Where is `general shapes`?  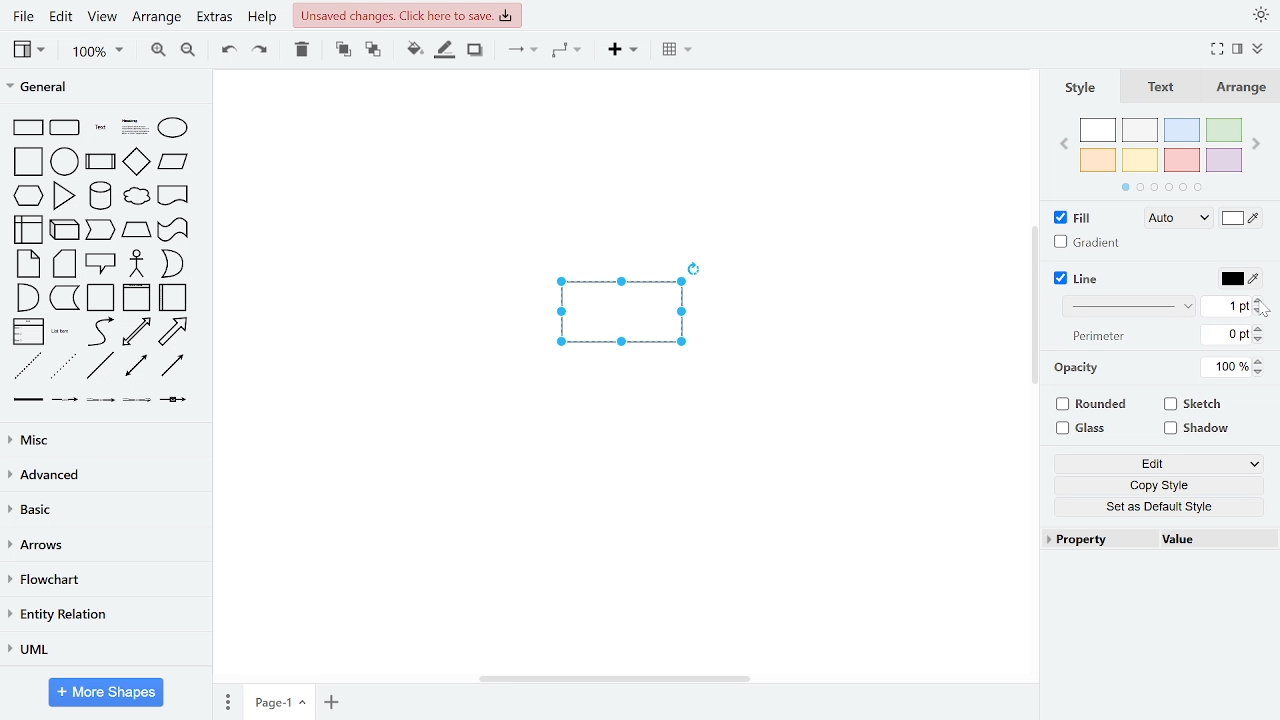
general shapes is located at coordinates (98, 161).